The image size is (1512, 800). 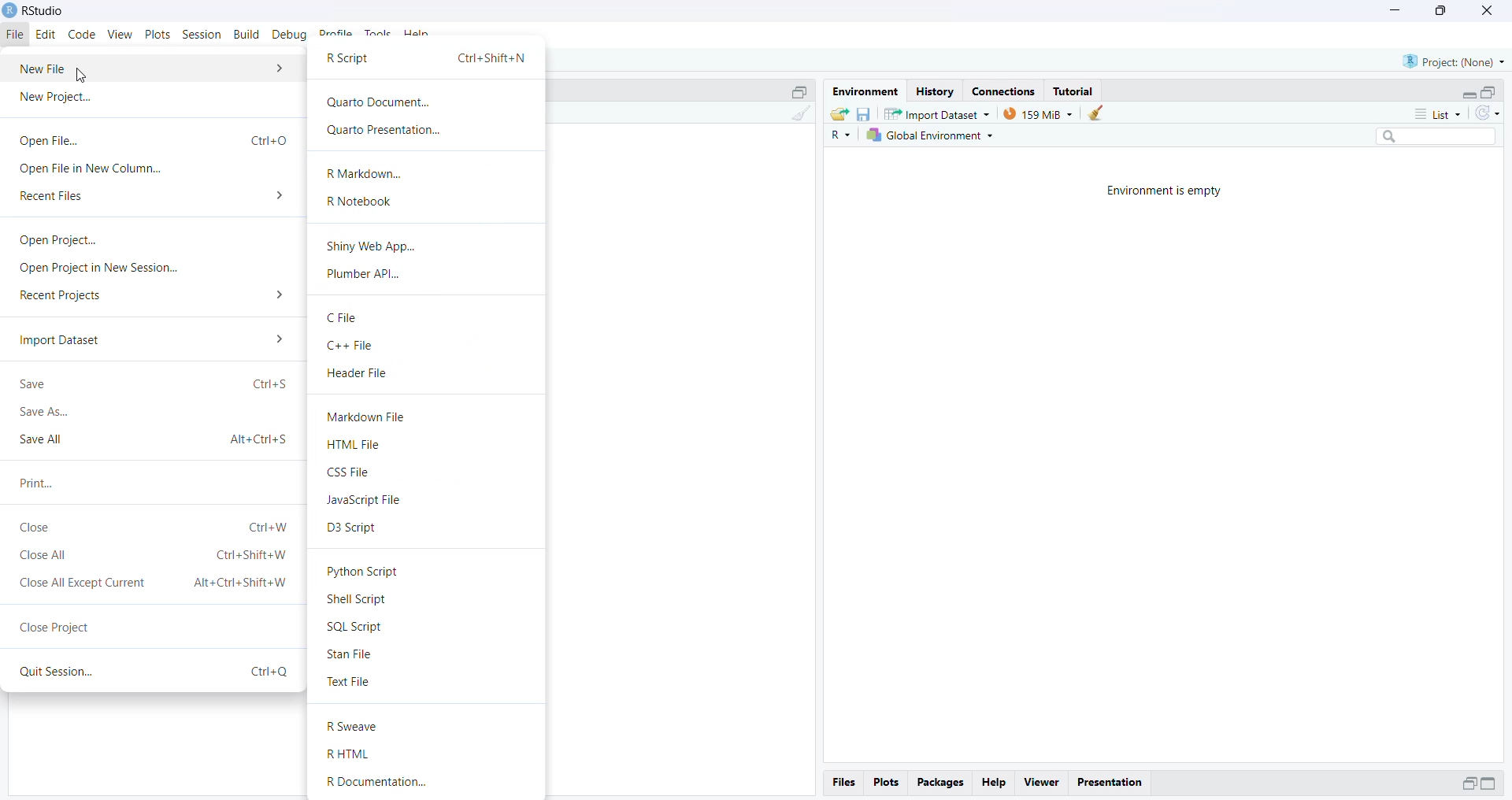 What do you see at coordinates (358, 374) in the screenshot?
I see `Header File` at bounding box center [358, 374].